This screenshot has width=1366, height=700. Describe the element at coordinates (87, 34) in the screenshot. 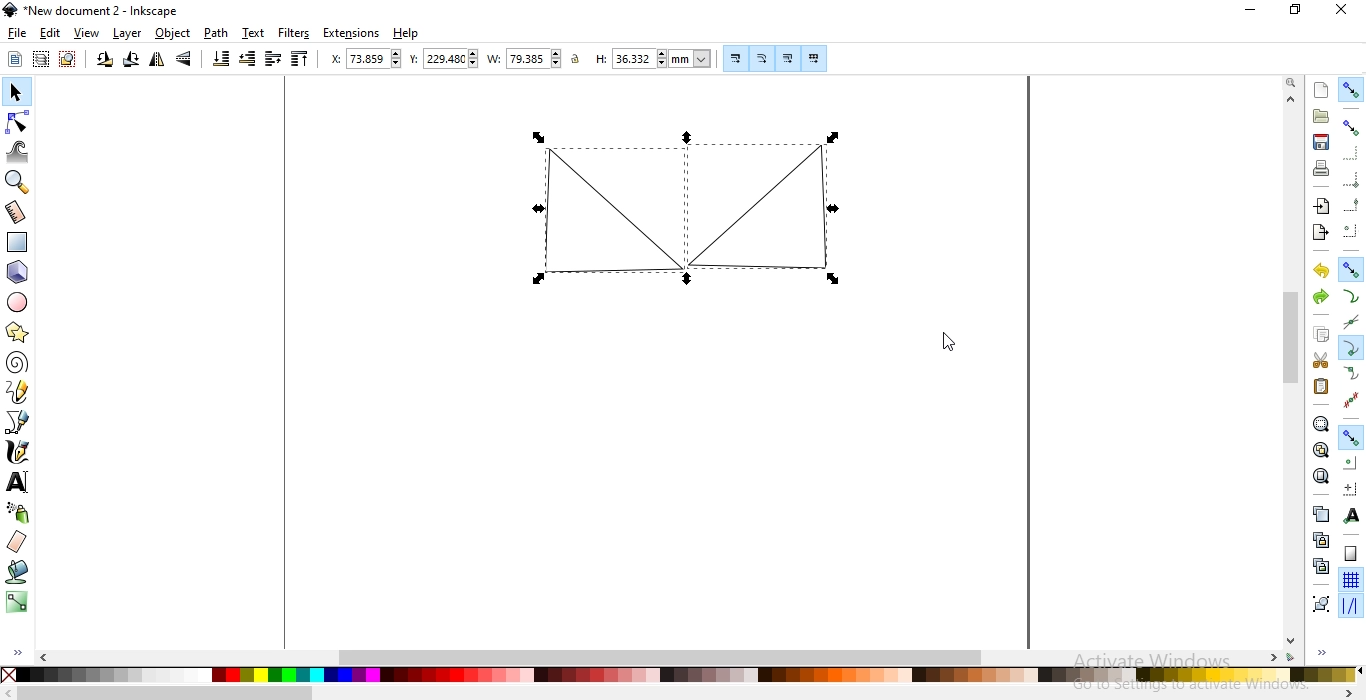

I see `view` at that location.